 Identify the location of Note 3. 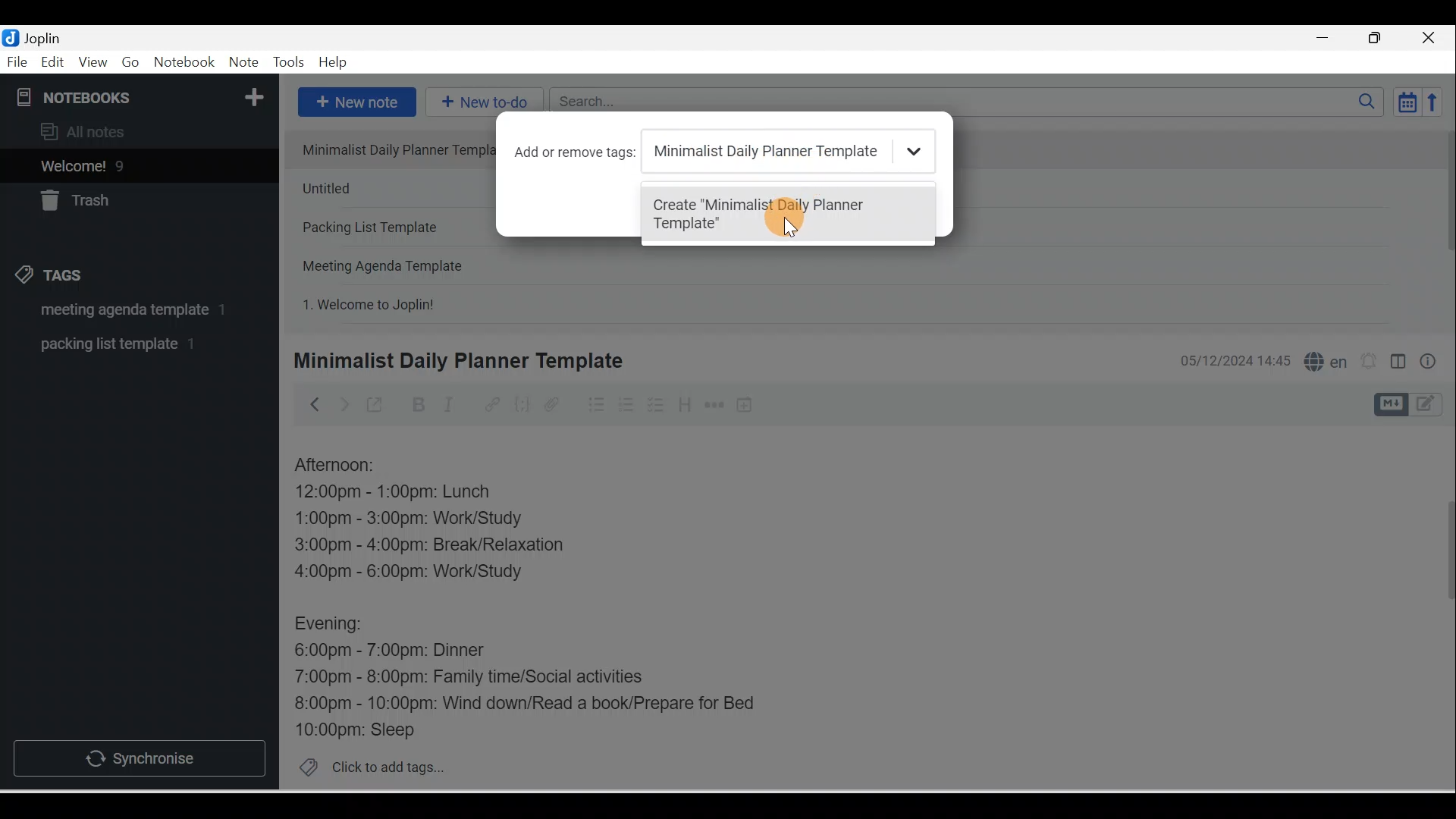
(389, 228).